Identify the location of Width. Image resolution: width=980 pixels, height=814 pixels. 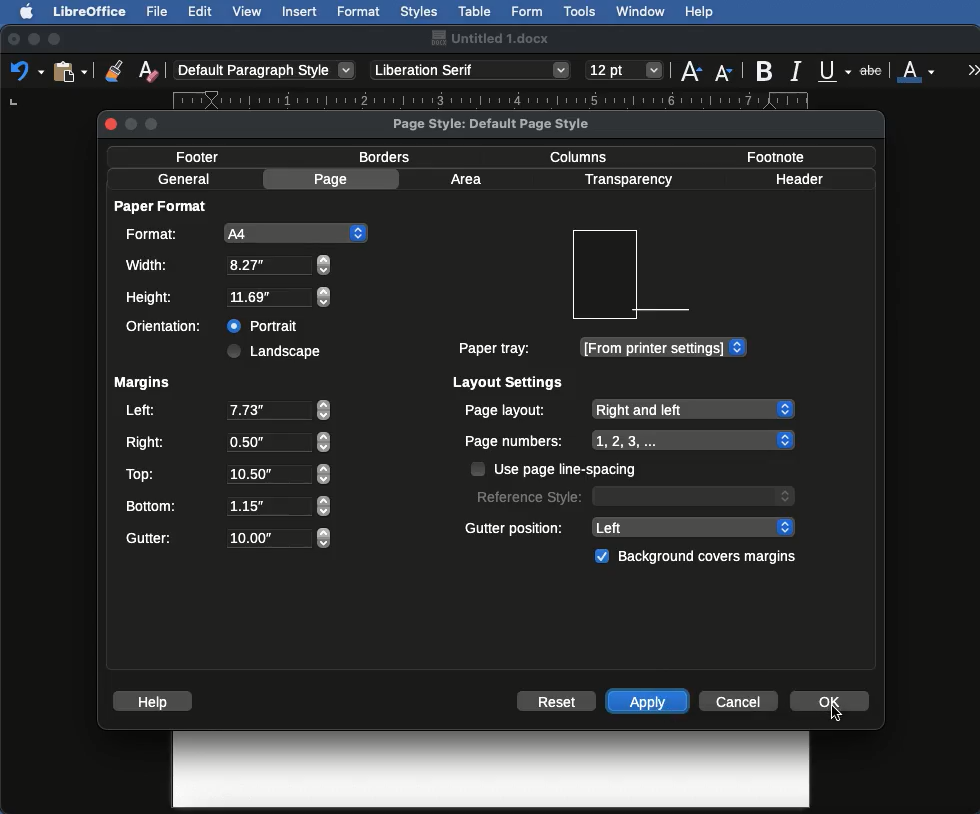
(227, 265).